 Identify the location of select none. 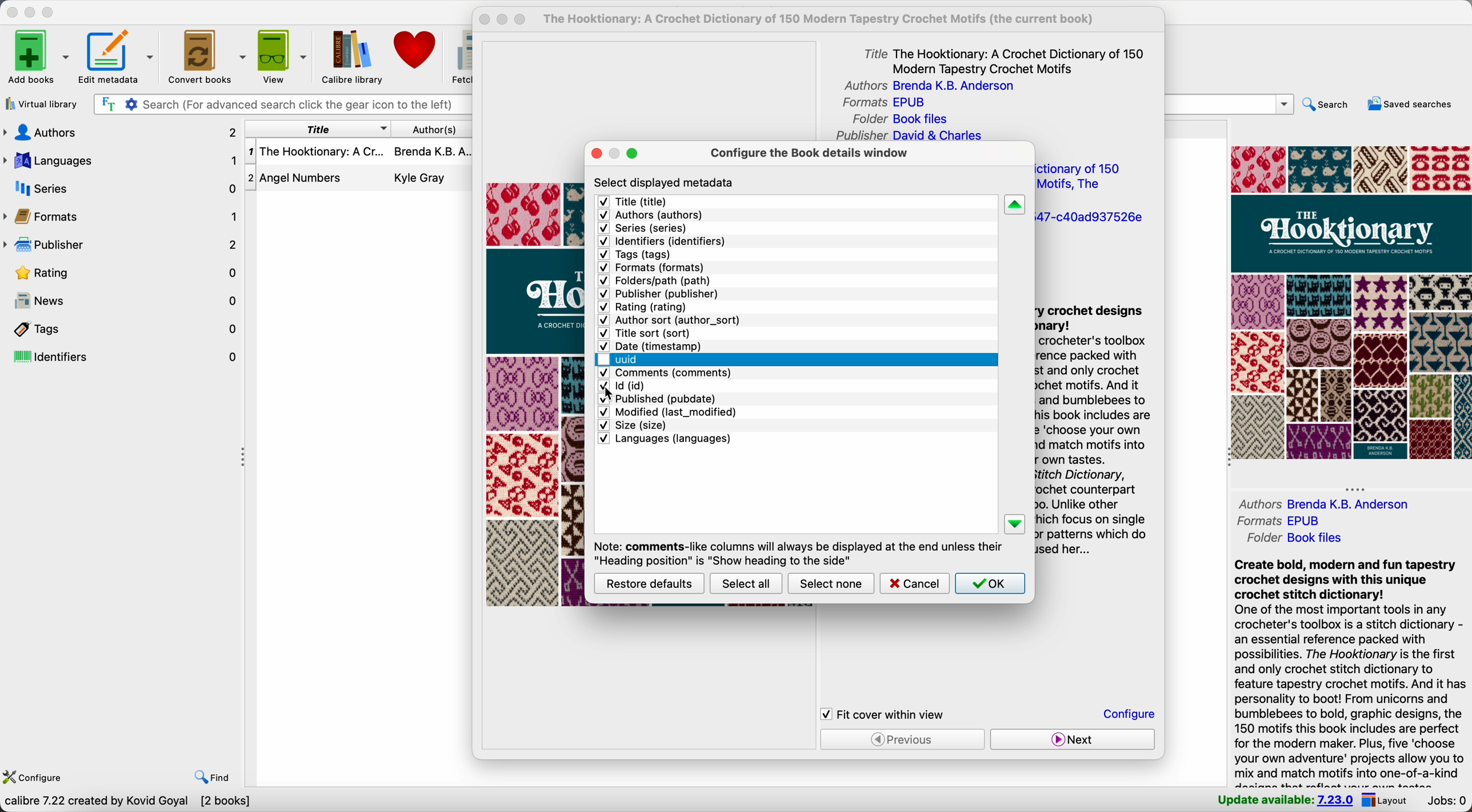
(831, 585).